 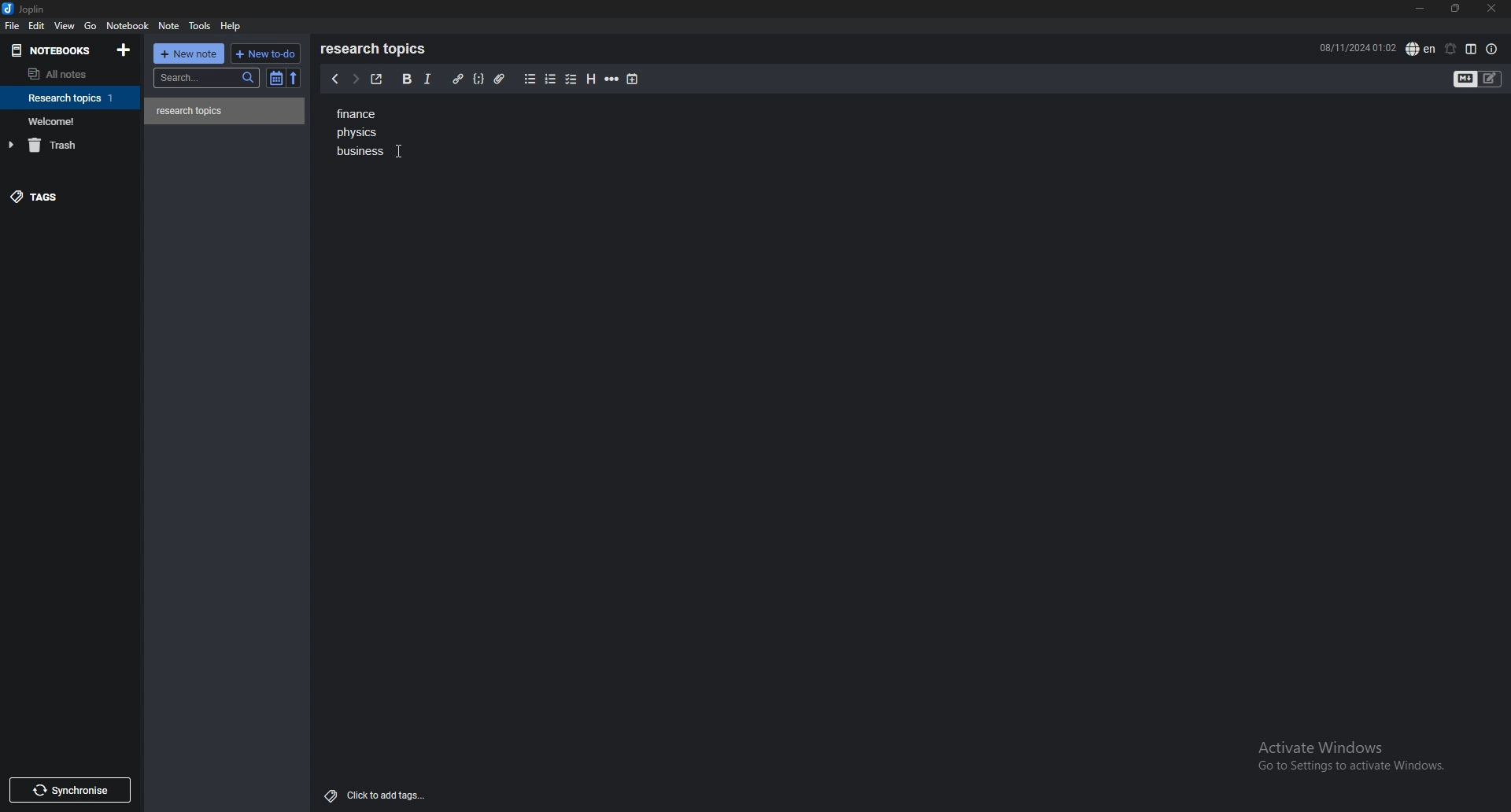 I want to click on hyperlink, so click(x=457, y=79).